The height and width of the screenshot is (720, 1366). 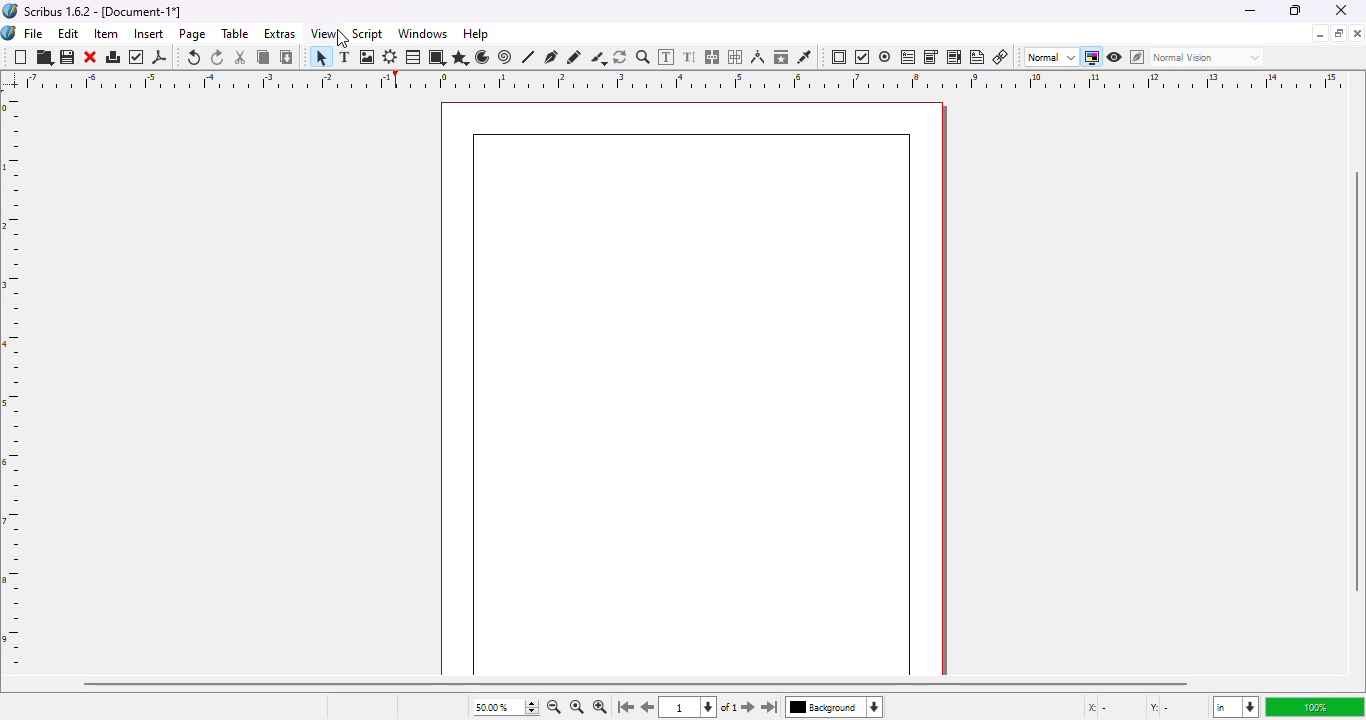 I want to click on eye dropper, so click(x=804, y=57).